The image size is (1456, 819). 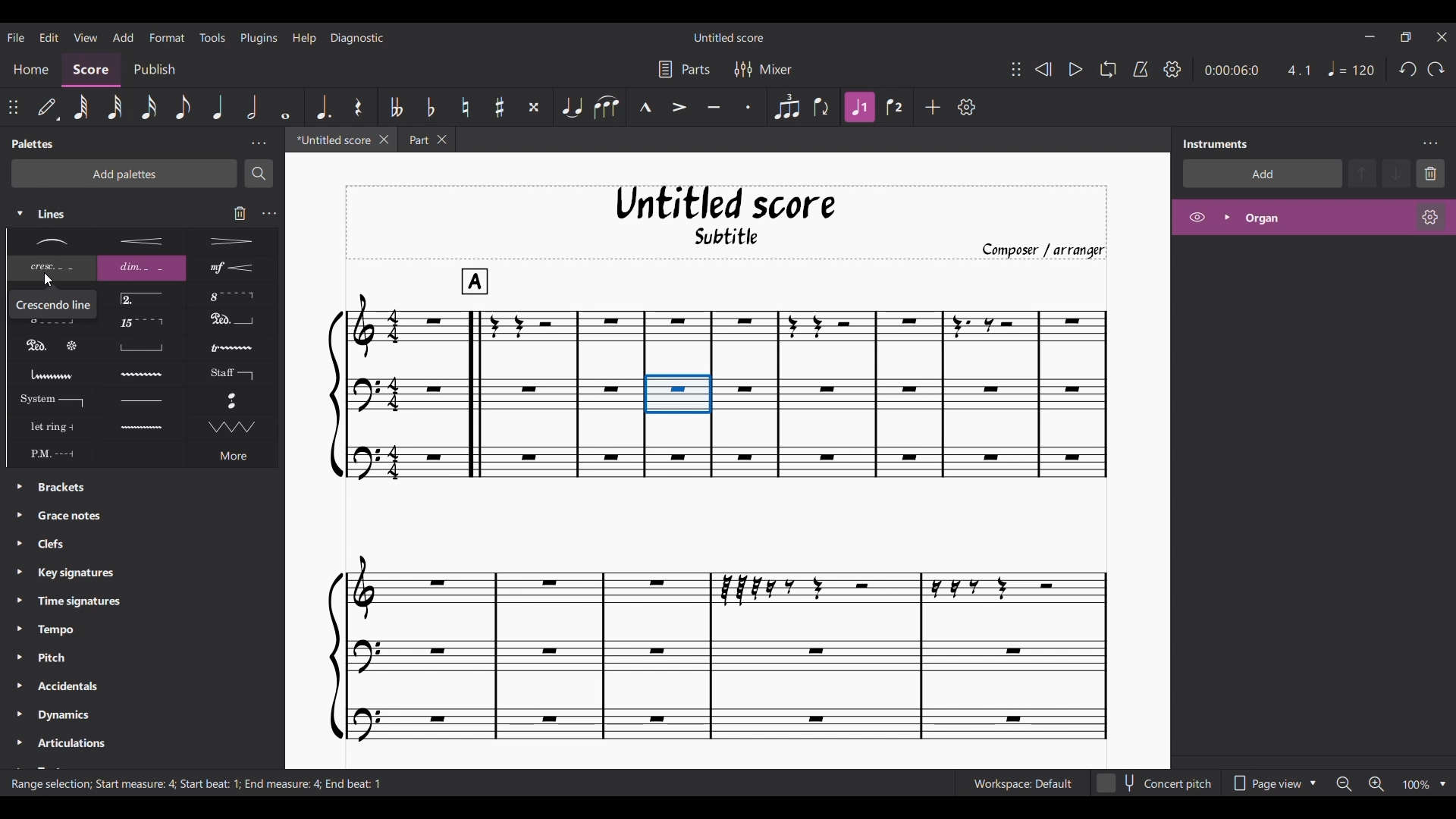 What do you see at coordinates (141, 348) in the screenshot?
I see `Options under Line palette` at bounding box center [141, 348].